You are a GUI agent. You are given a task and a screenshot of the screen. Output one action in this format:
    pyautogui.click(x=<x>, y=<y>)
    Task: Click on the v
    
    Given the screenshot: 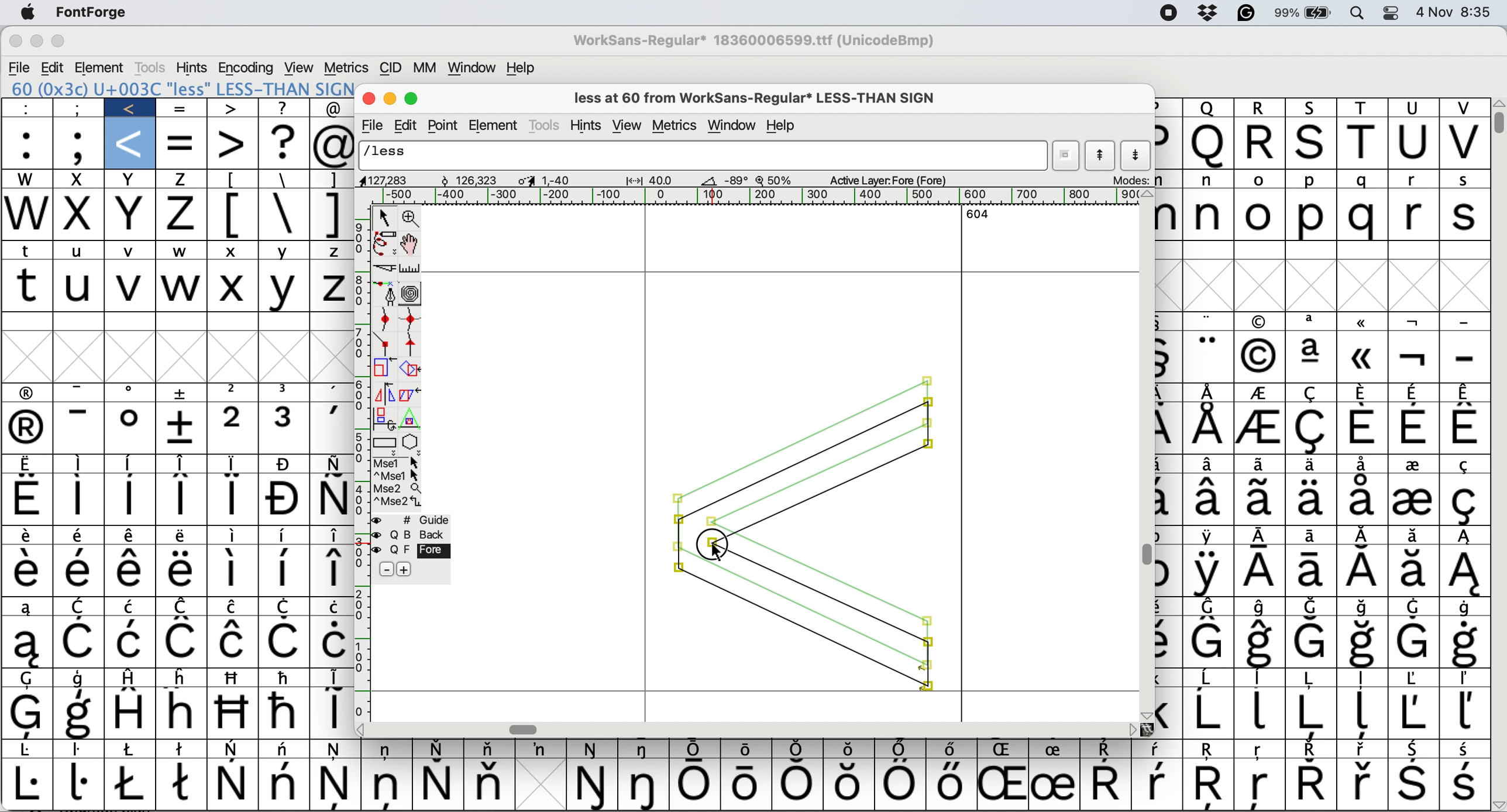 What is the action you would take?
    pyautogui.click(x=135, y=250)
    